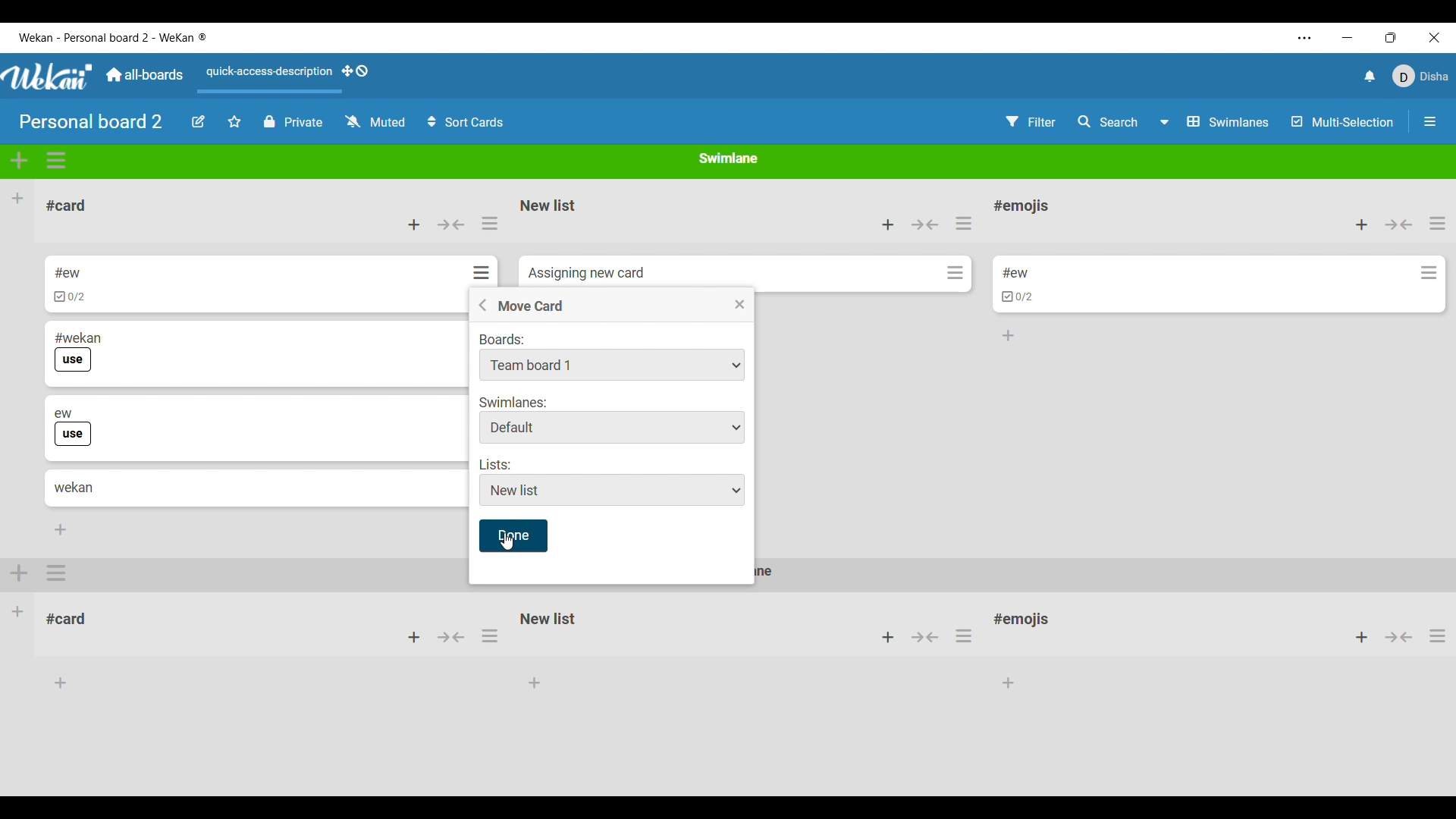  I want to click on Privacy options, so click(293, 122).